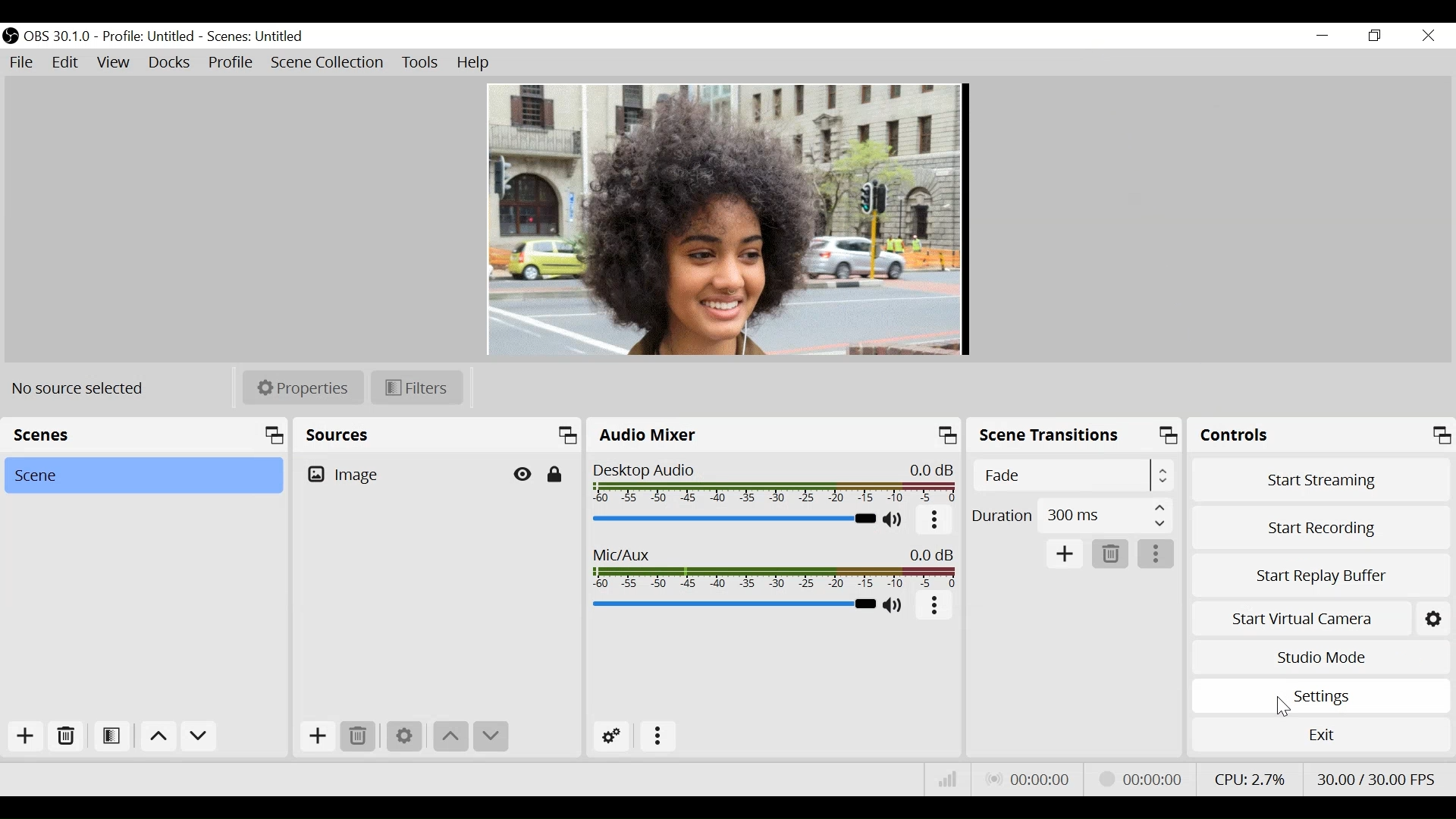 The width and height of the screenshot is (1456, 819). I want to click on CPU: 2.7%, so click(1247, 778).